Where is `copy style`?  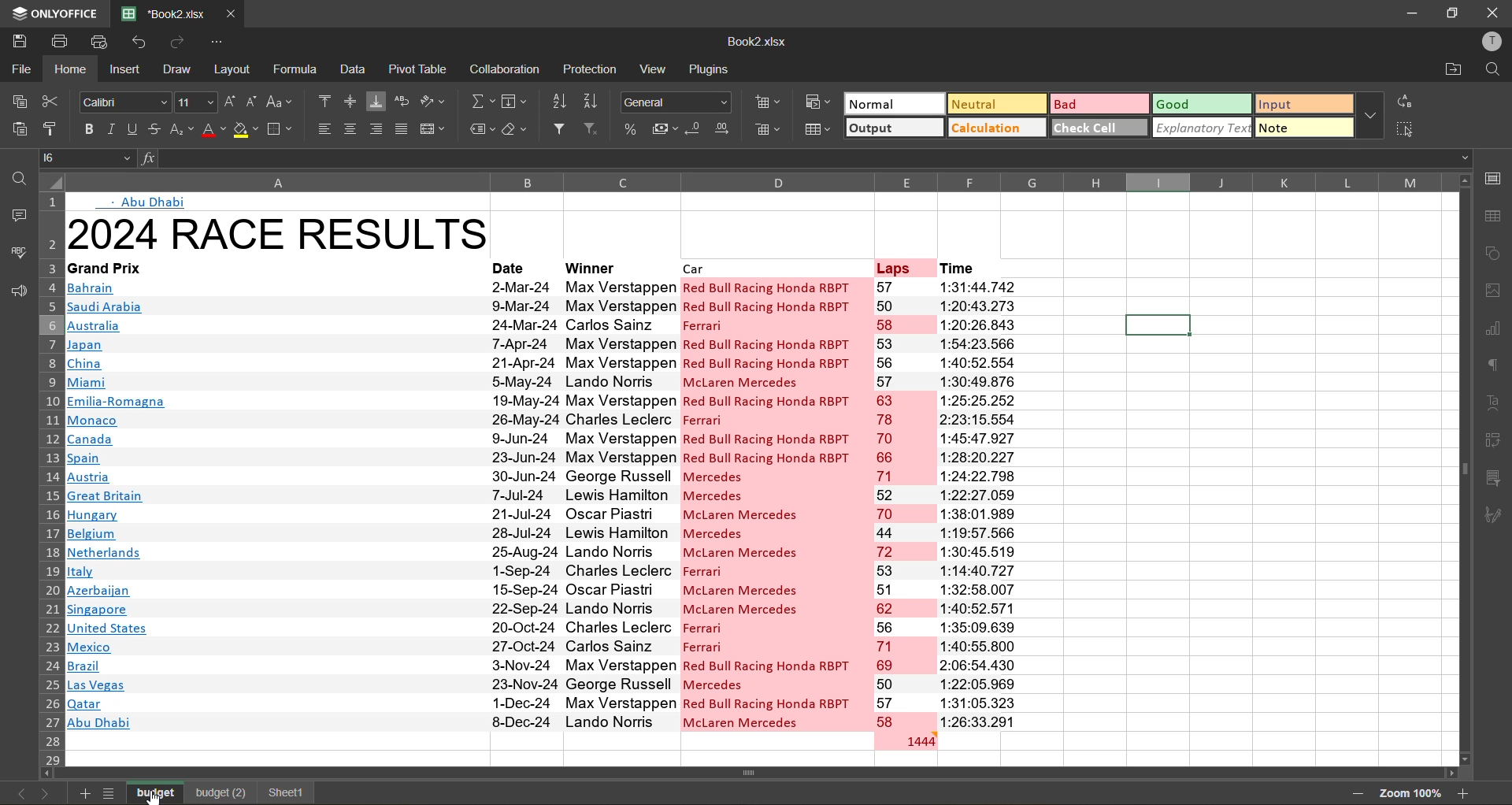
copy style is located at coordinates (53, 128).